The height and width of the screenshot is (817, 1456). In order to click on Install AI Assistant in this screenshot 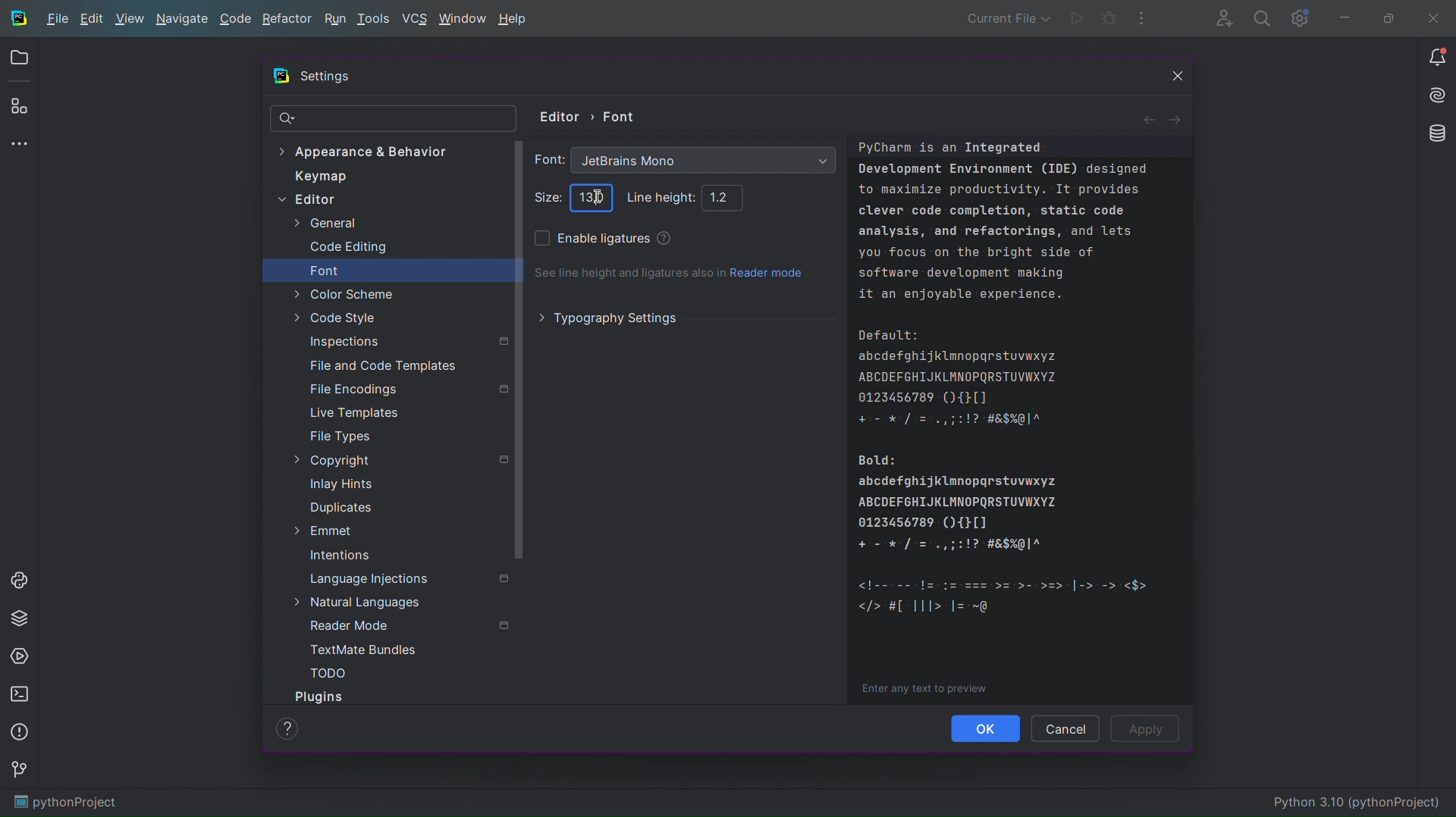, I will do `click(1432, 98)`.